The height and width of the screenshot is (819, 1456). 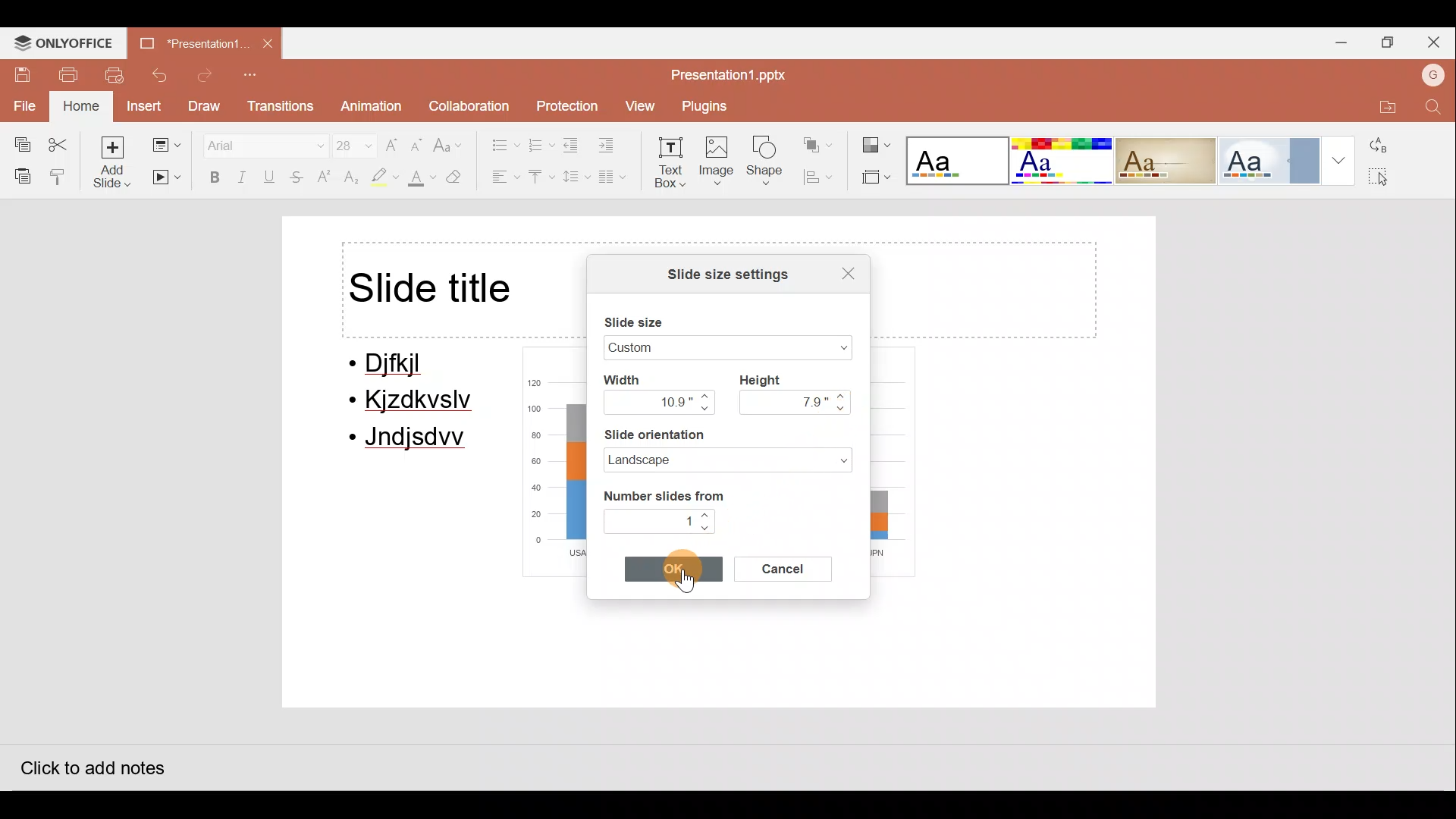 I want to click on Shape, so click(x=769, y=164).